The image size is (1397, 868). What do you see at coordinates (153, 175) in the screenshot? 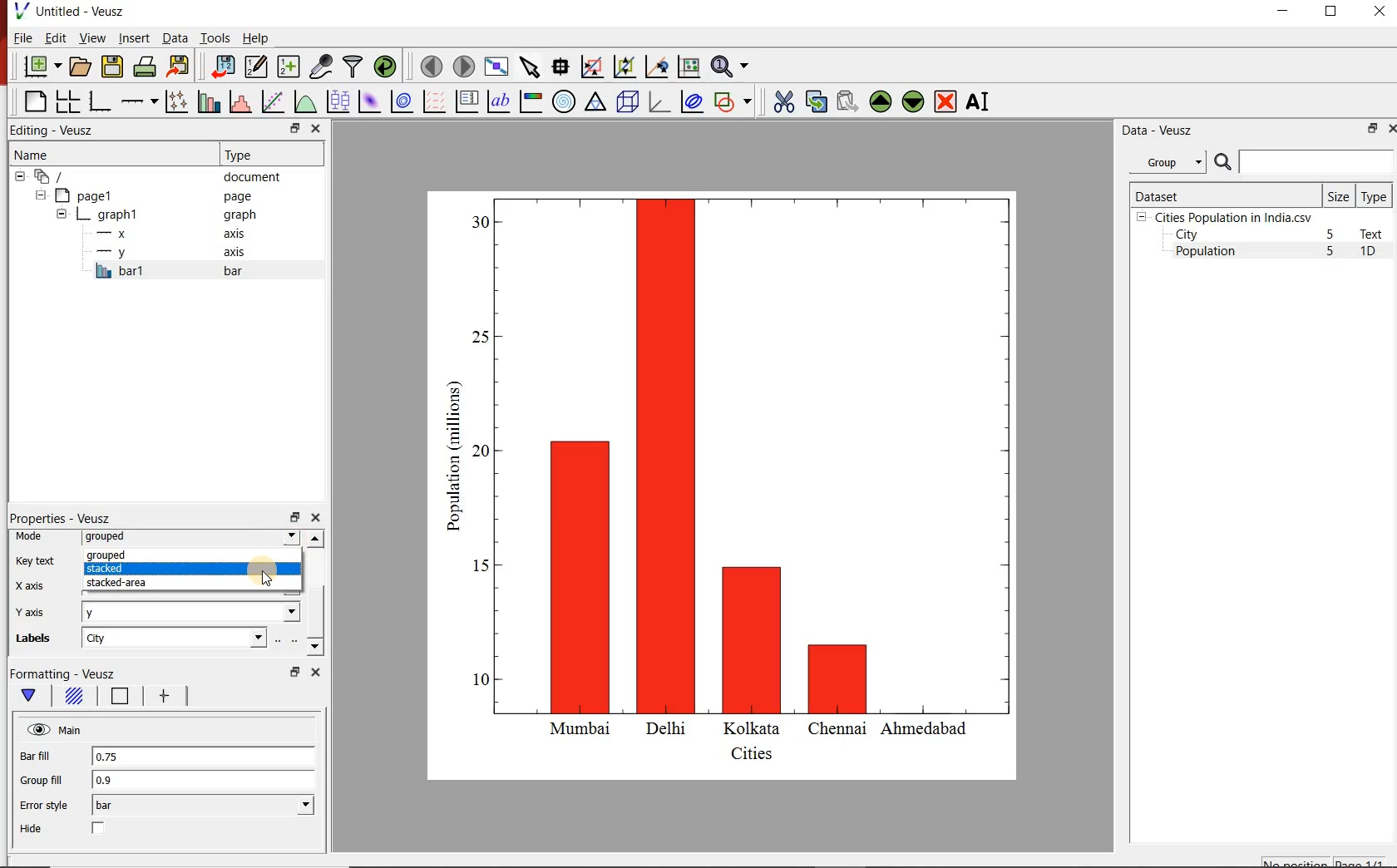
I see `document` at bounding box center [153, 175].